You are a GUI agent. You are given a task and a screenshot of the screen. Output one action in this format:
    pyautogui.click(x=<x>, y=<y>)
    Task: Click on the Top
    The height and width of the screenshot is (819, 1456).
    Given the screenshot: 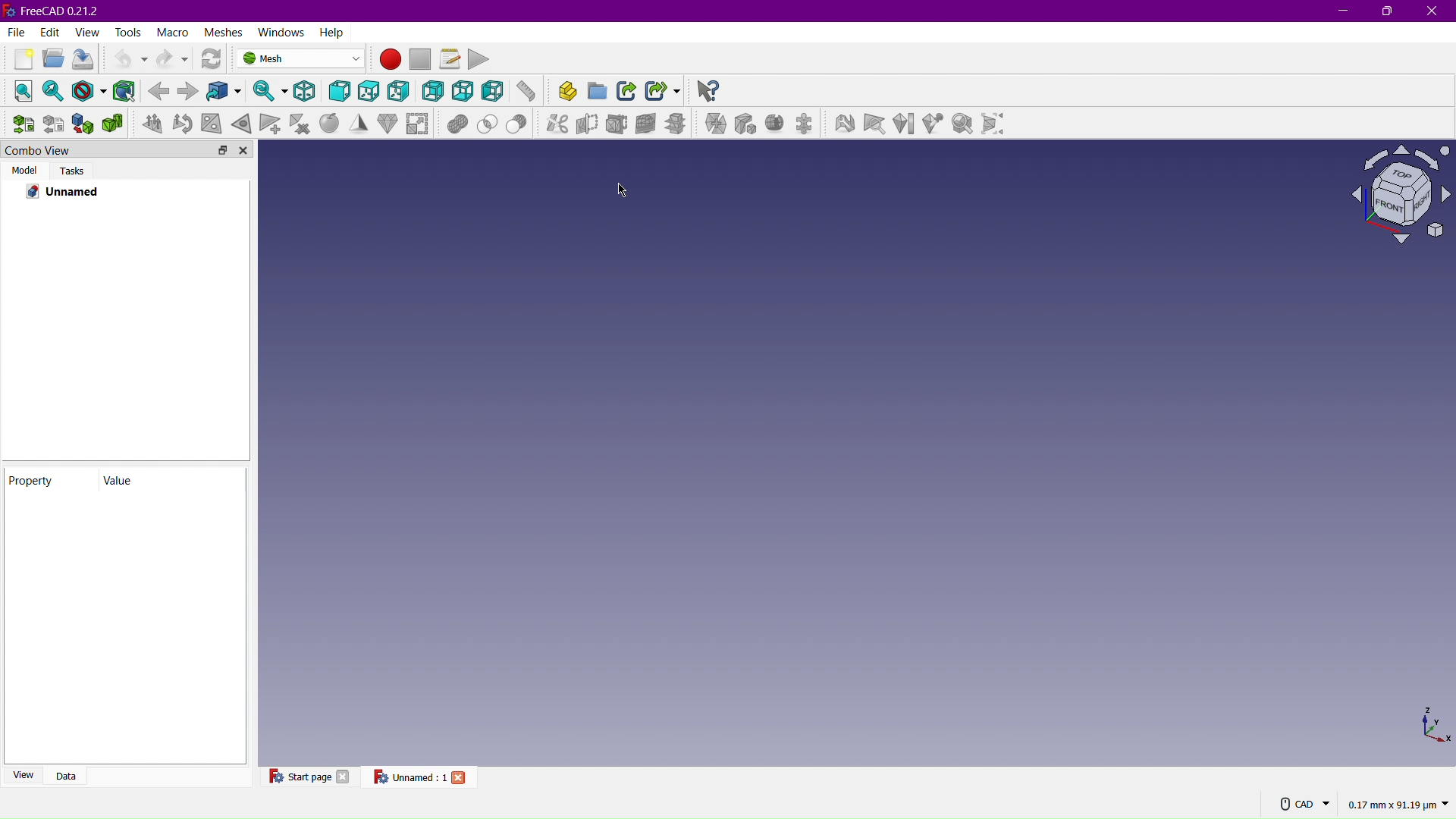 What is the action you would take?
    pyautogui.click(x=369, y=93)
    